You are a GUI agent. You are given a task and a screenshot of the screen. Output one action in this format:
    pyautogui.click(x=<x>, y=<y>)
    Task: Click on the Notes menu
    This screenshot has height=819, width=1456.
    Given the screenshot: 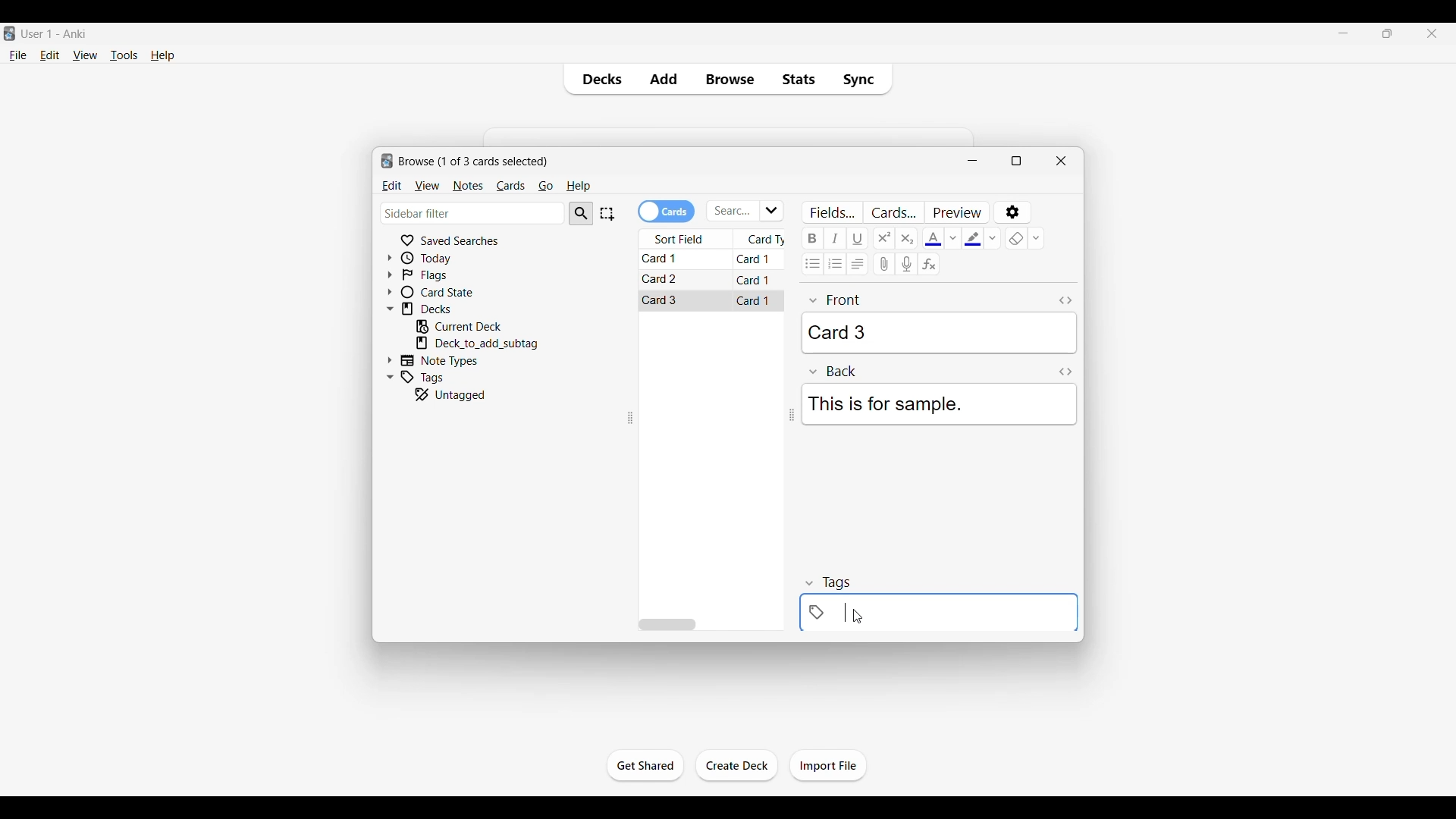 What is the action you would take?
    pyautogui.click(x=468, y=187)
    